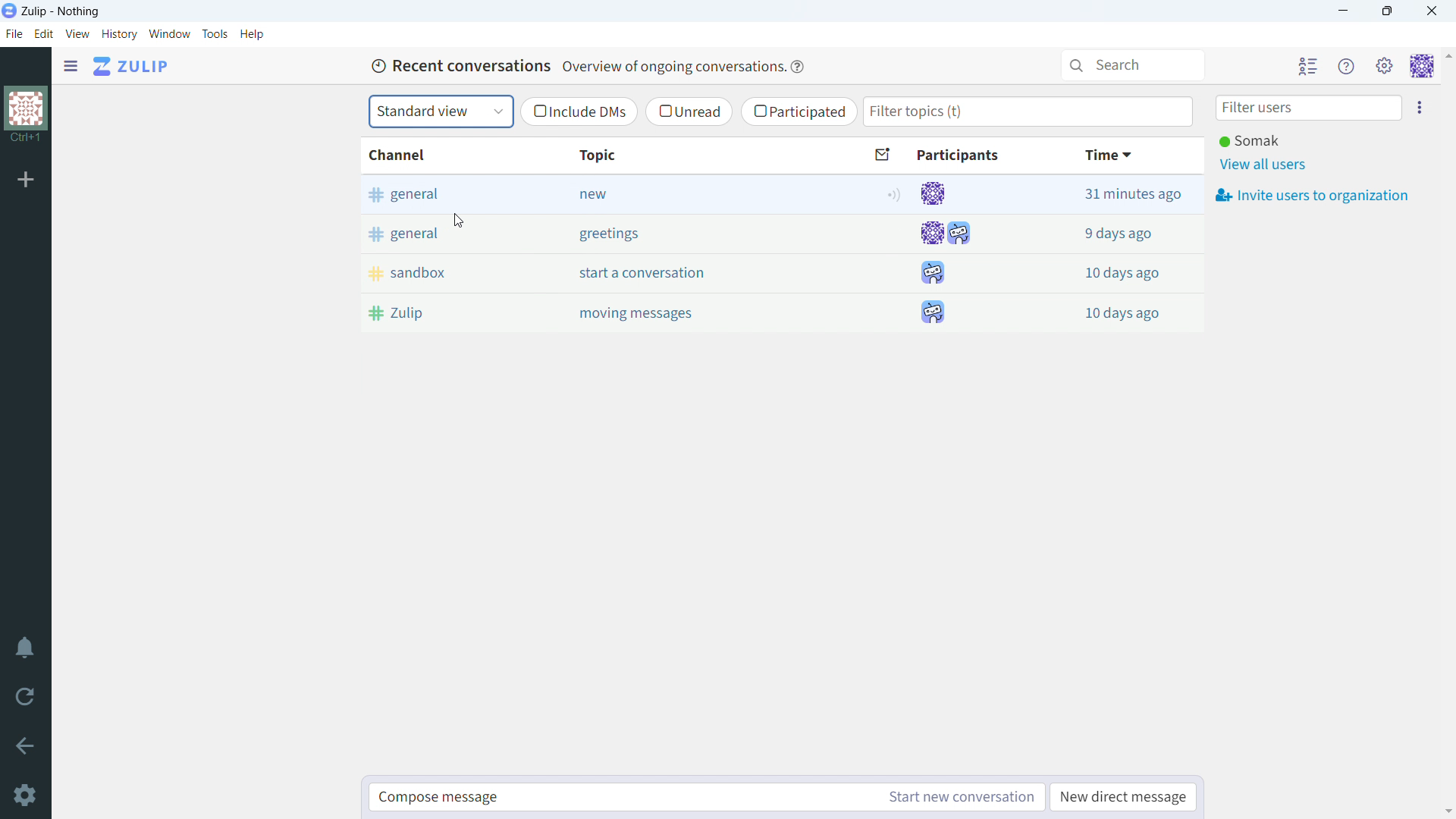  I want to click on edit, so click(44, 34).